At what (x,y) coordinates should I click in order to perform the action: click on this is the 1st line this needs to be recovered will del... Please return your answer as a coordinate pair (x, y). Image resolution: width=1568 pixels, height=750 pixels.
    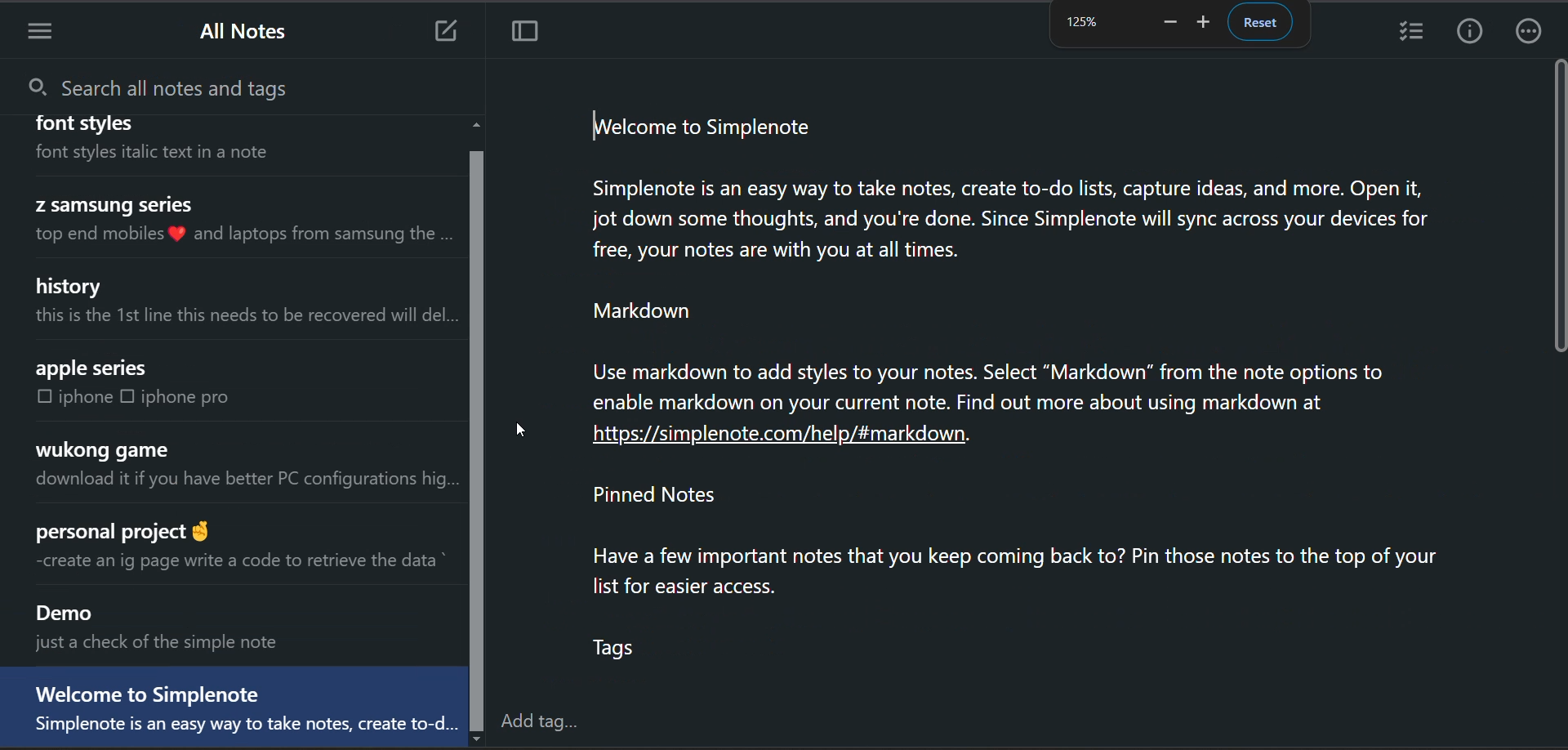
    Looking at the image, I should click on (238, 319).